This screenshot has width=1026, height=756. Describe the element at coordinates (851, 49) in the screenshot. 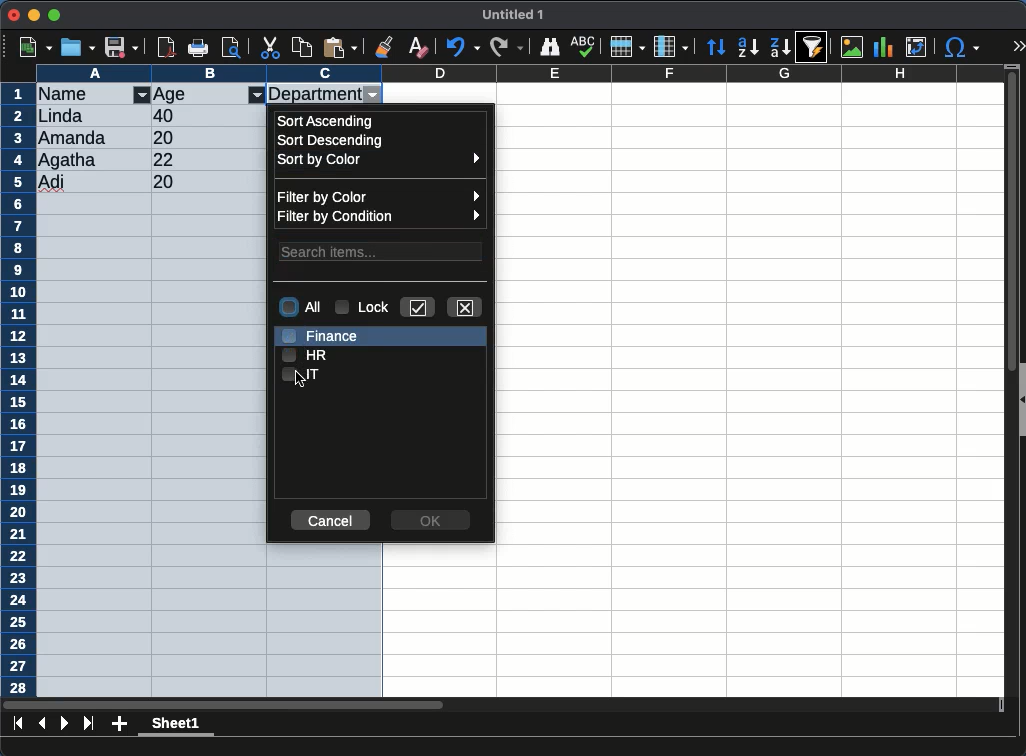

I see `image` at that location.